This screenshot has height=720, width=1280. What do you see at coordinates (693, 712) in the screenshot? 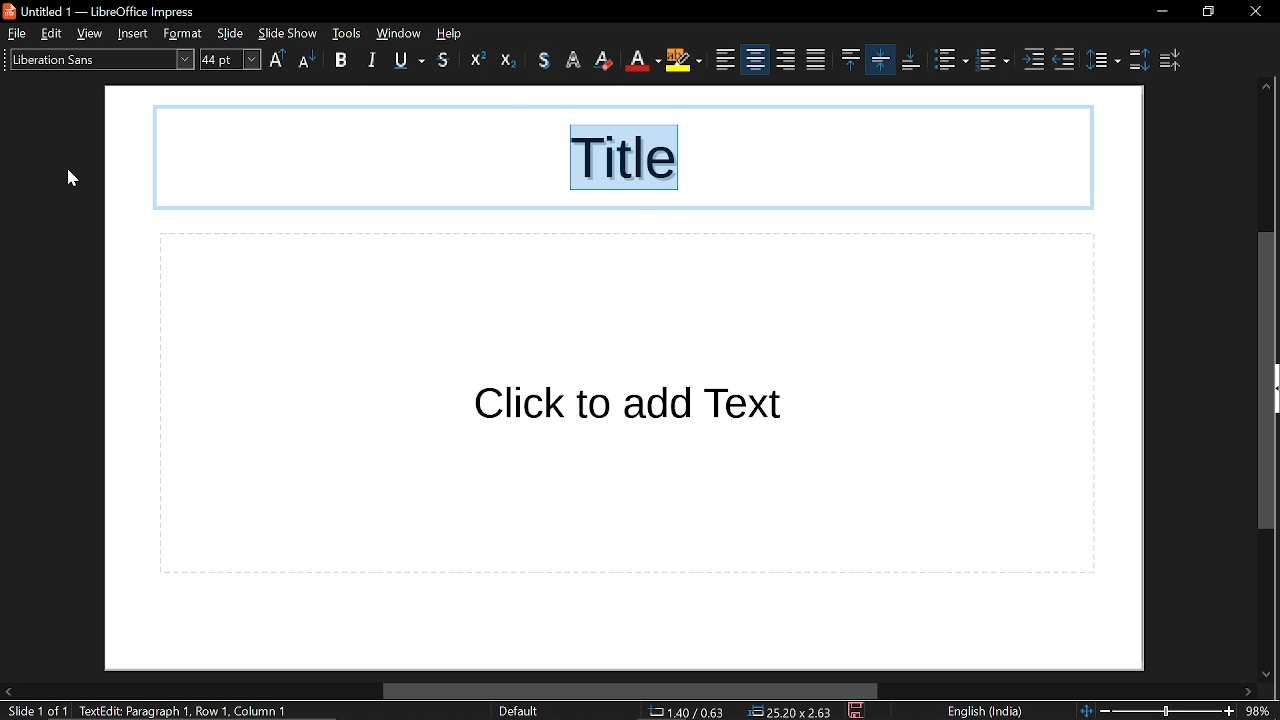
I see `cursor co-ordinate` at bounding box center [693, 712].